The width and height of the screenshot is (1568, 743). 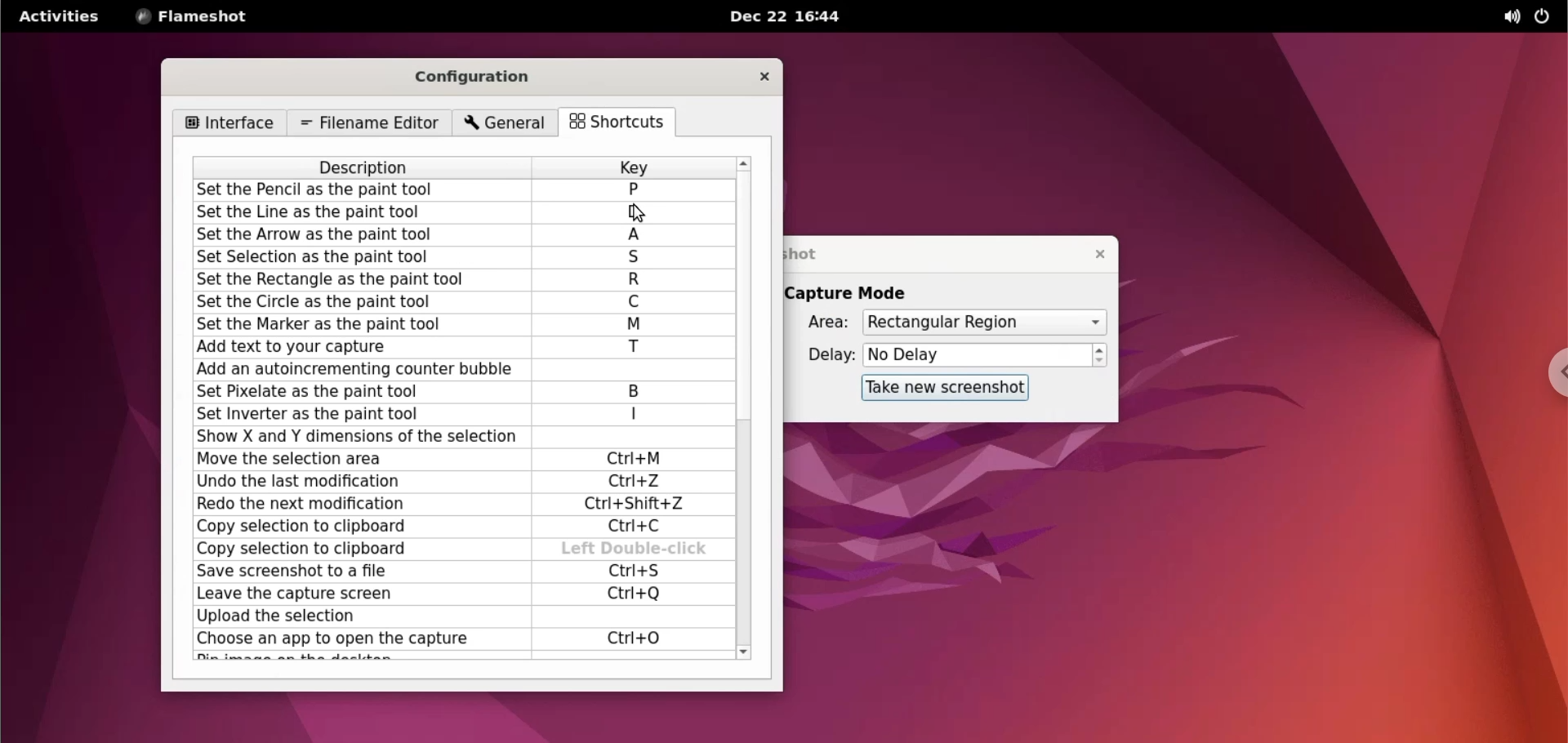 What do you see at coordinates (229, 123) in the screenshot?
I see `interface ` at bounding box center [229, 123].